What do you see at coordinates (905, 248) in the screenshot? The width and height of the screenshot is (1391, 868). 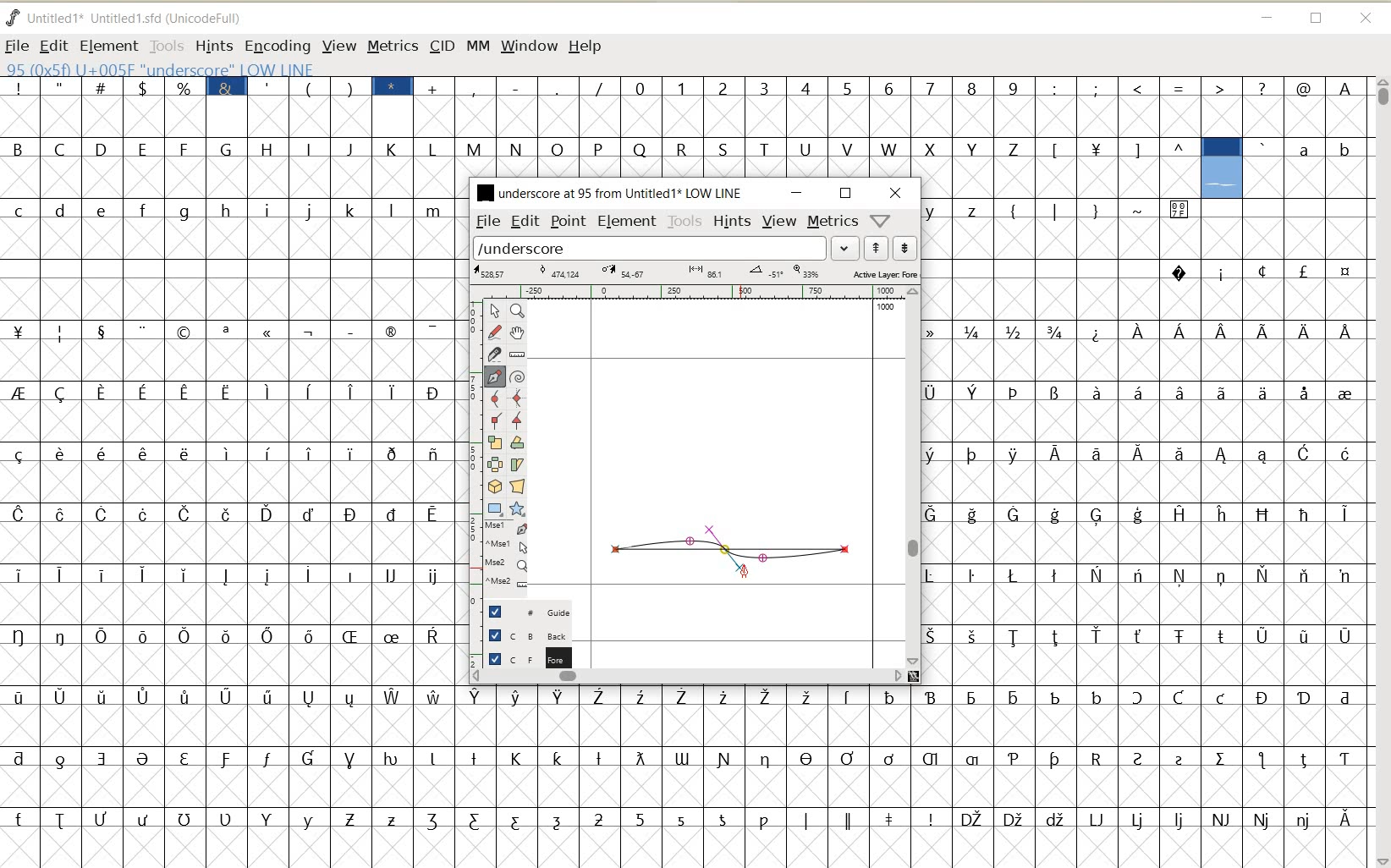 I see `show next word list` at bounding box center [905, 248].